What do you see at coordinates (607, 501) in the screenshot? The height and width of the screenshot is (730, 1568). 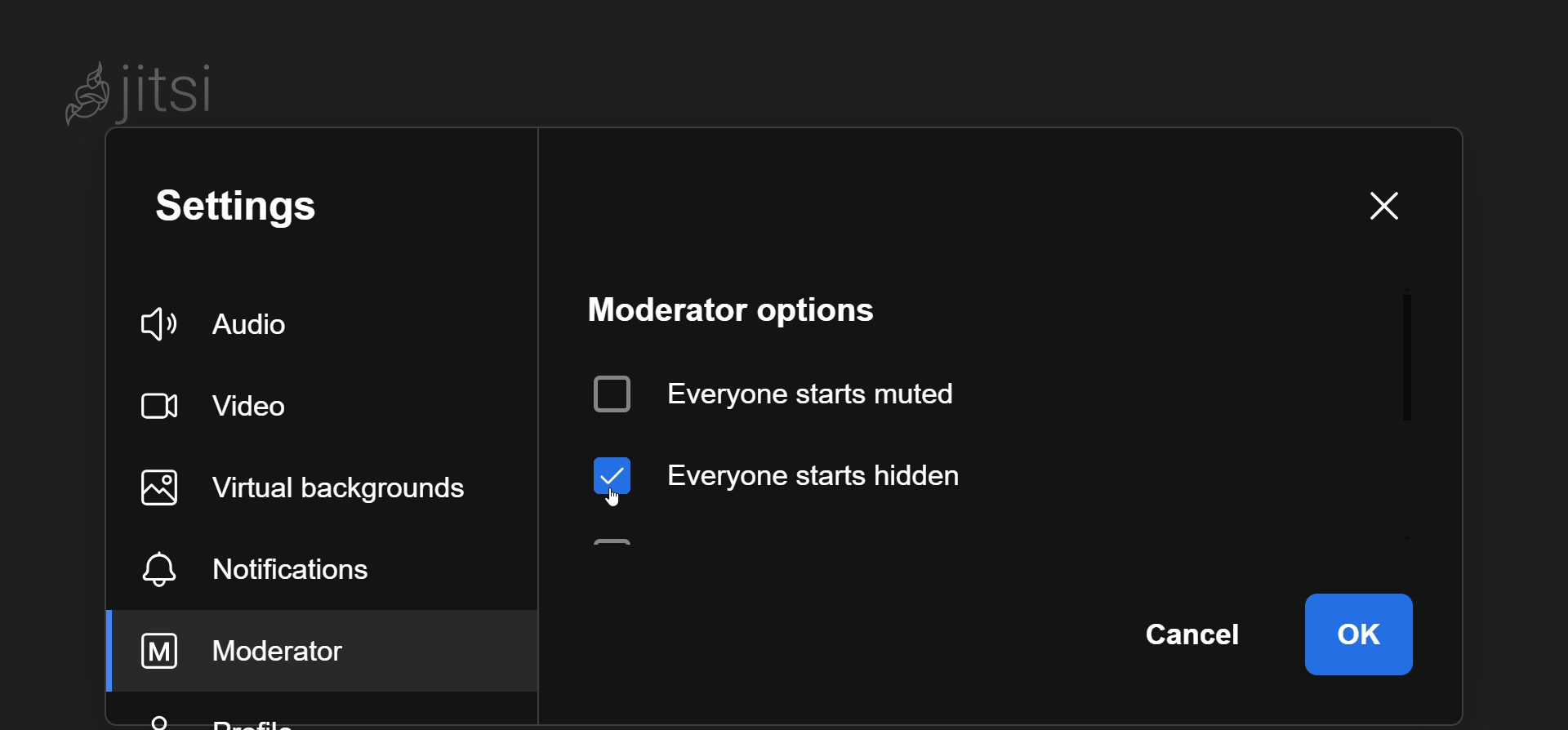 I see `cursor` at bounding box center [607, 501].